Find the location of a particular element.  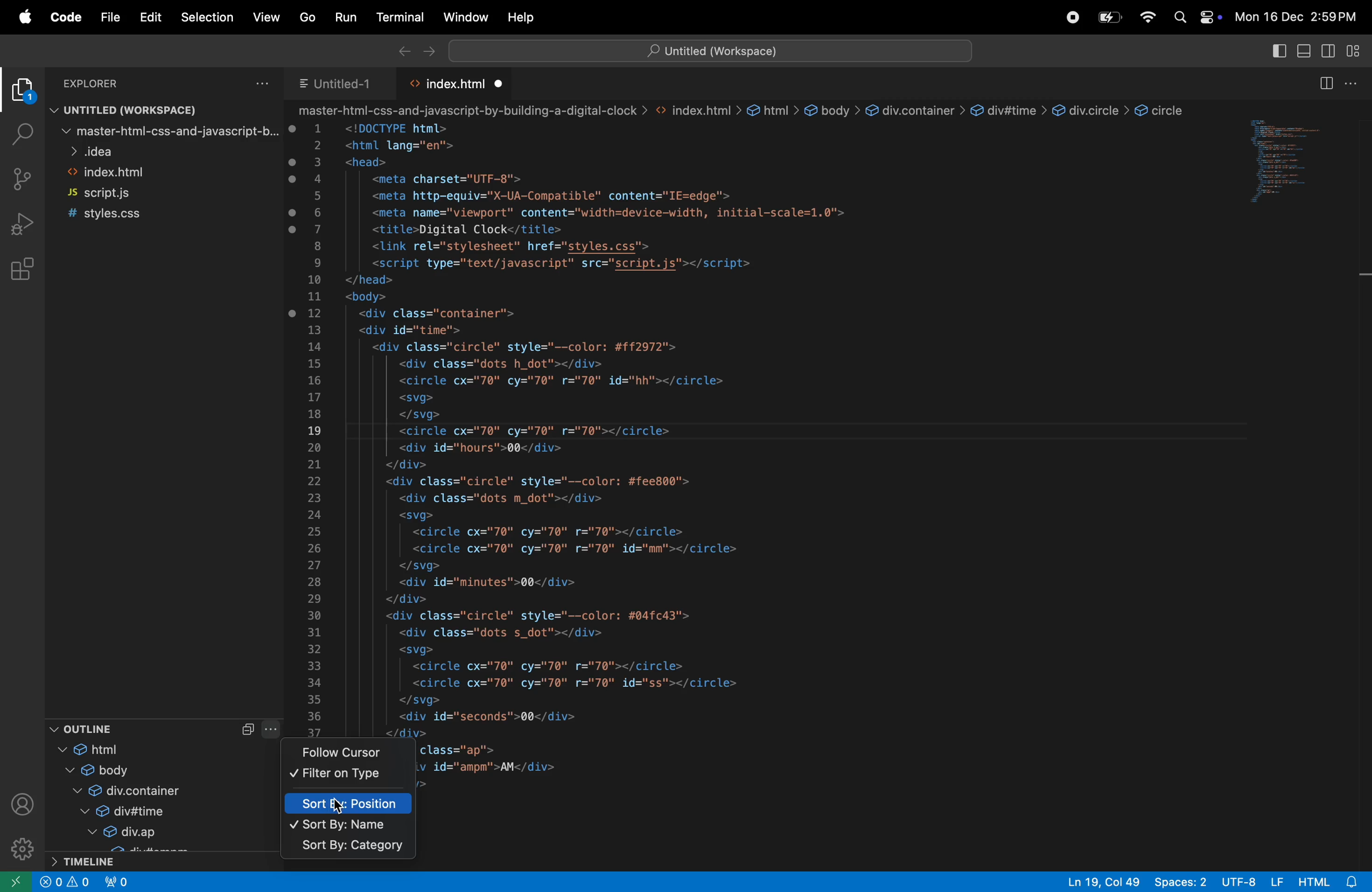

out line is located at coordinates (138, 728).